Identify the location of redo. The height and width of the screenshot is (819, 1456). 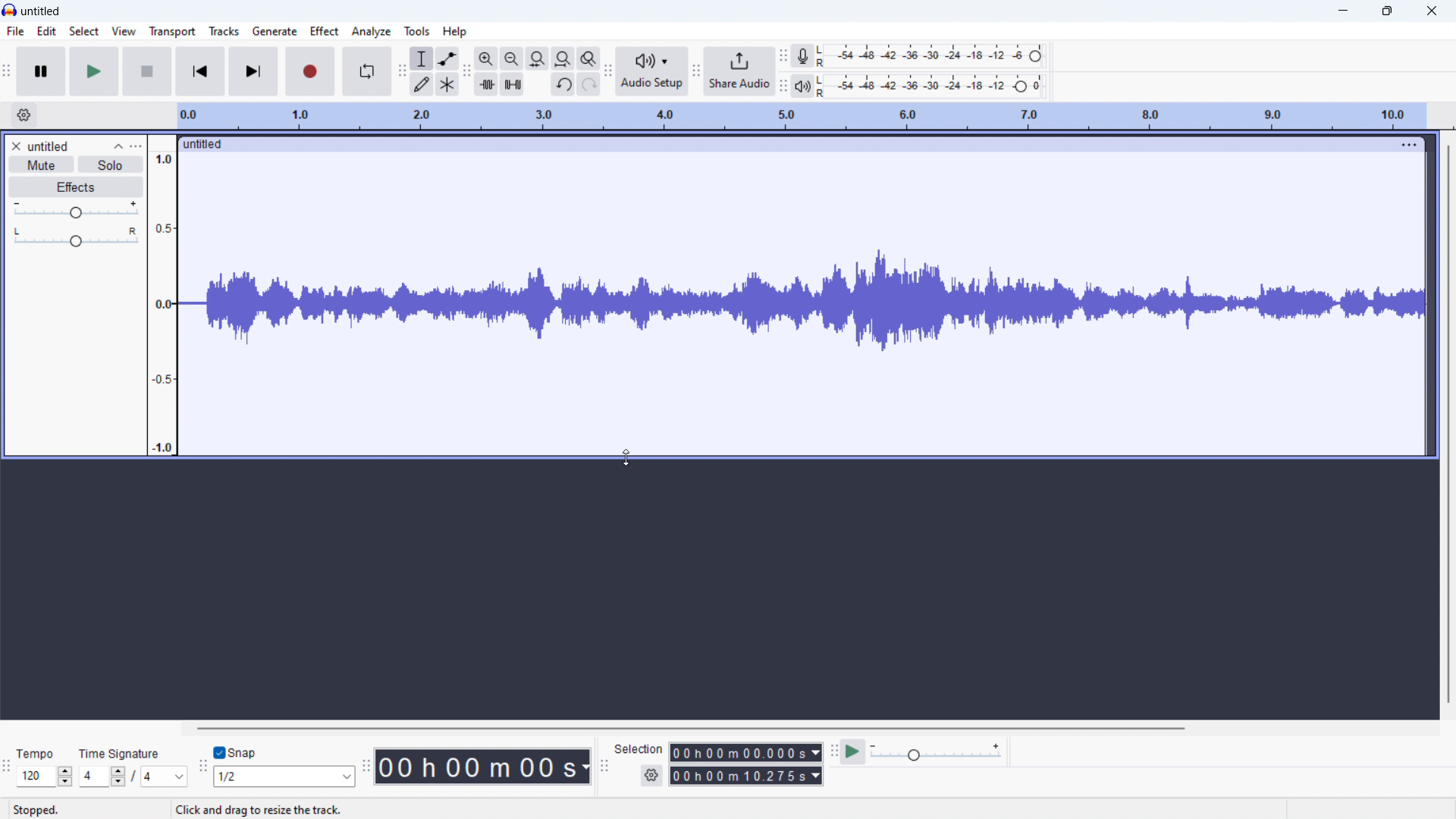
(588, 84).